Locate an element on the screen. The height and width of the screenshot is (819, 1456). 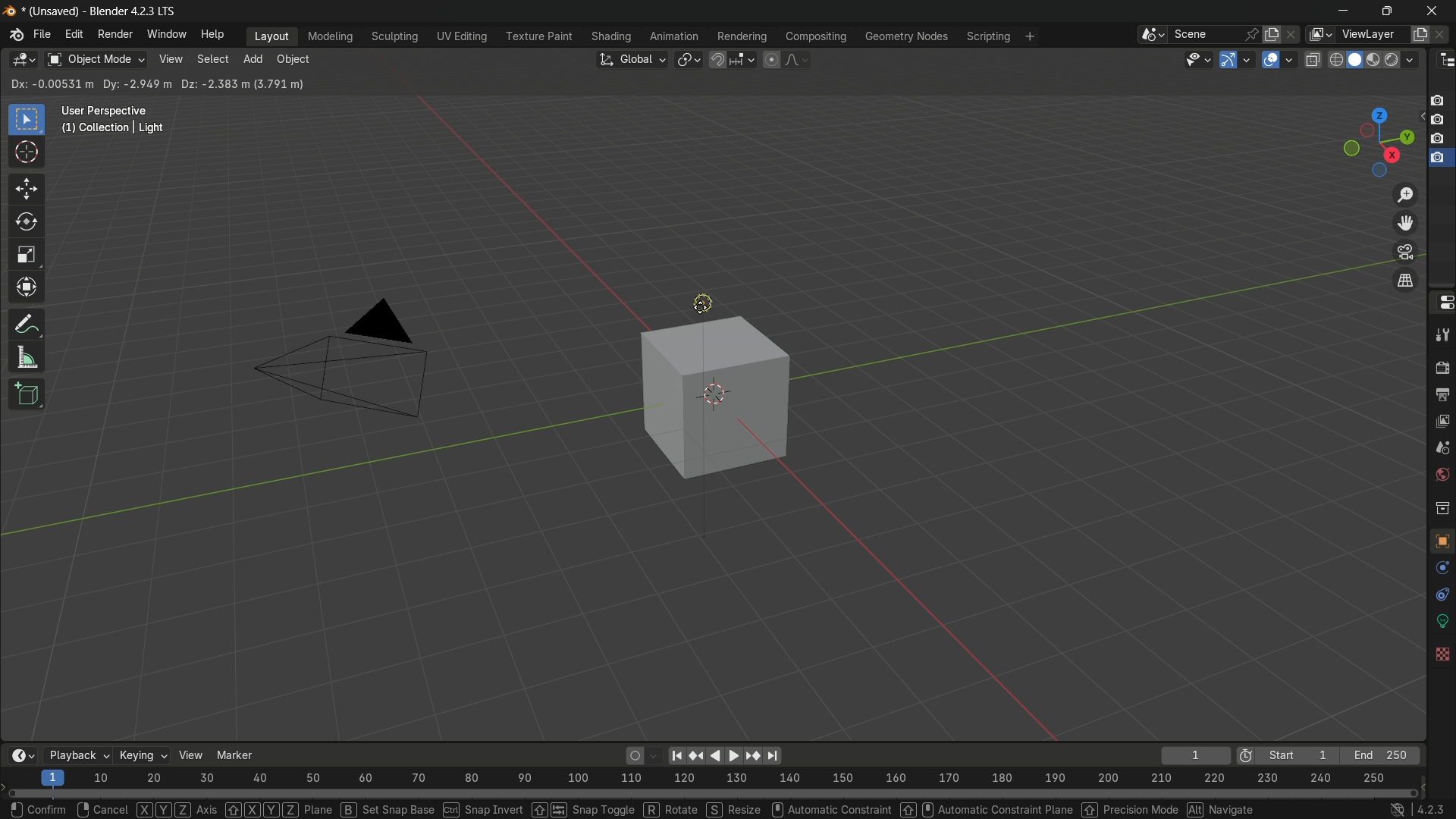
cube is located at coordinates (712, 397).